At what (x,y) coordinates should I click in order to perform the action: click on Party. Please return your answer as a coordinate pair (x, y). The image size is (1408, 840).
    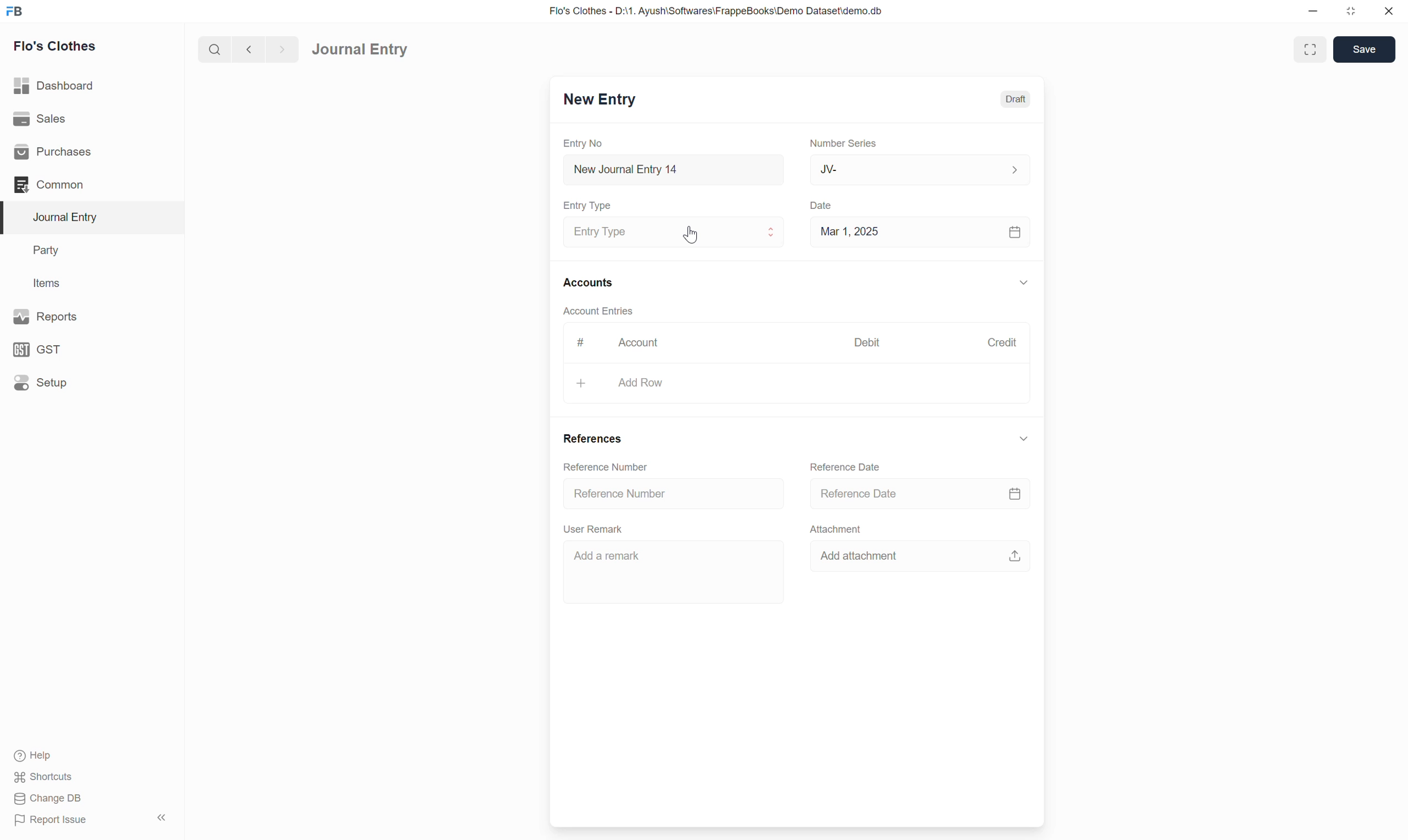
    Looking at the image, I should click on (49, 251).